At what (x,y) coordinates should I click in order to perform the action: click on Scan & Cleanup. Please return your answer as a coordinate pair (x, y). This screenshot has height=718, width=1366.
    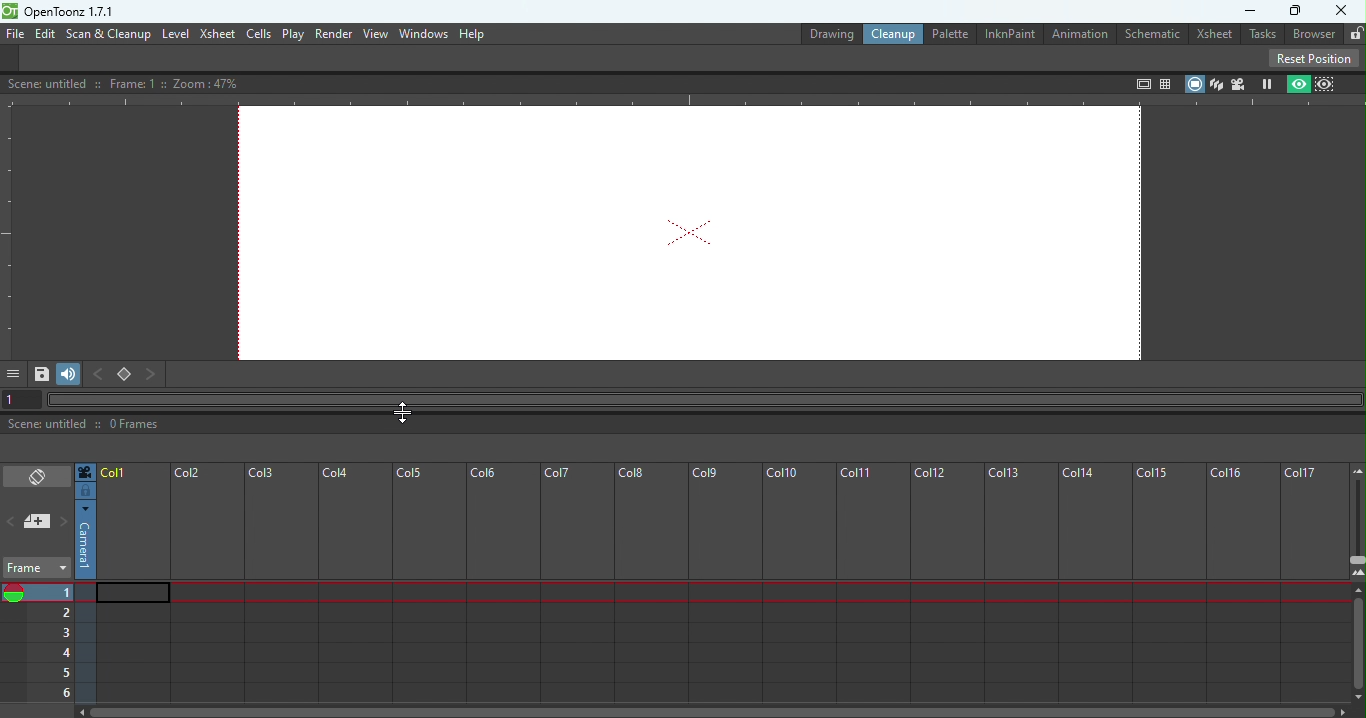
    Looking at the image, I should click on (109, 35).